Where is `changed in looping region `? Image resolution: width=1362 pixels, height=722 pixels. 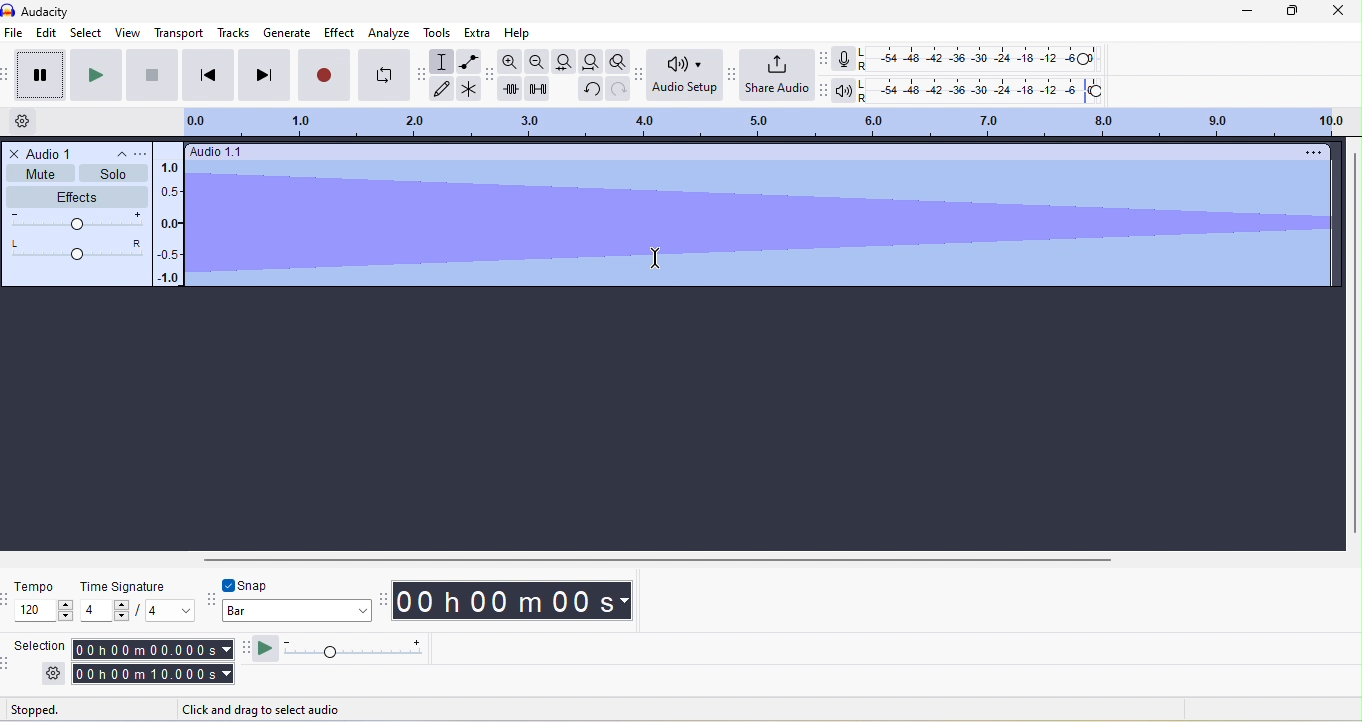
changed in looping region  is located at coordinates (765, 122).